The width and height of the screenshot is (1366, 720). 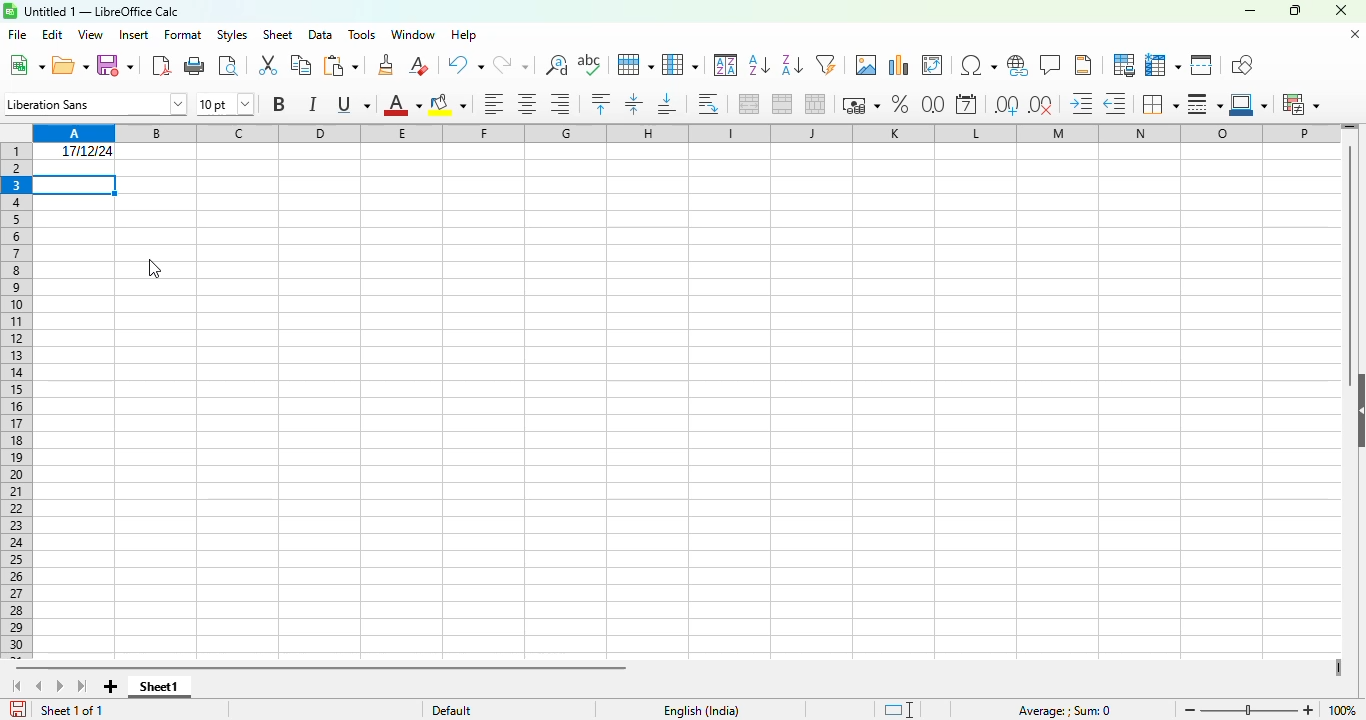 I want to click on bold, so click(x=278, y=103).